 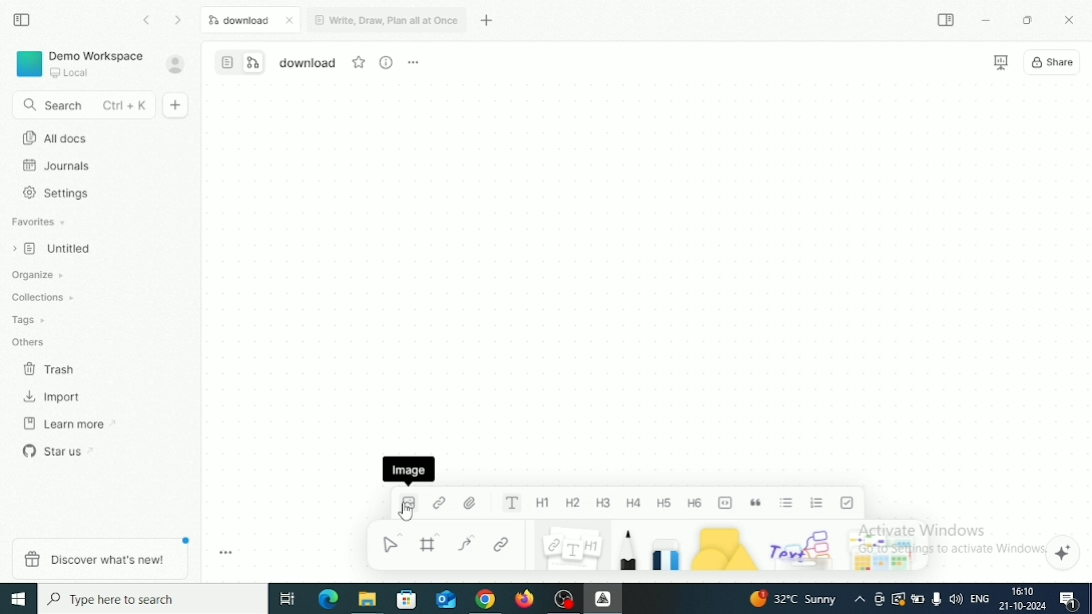 What do you see at coordinates (634, 504) in the screenshot?
I see `Heading  4` at bounding box center [634, 504].